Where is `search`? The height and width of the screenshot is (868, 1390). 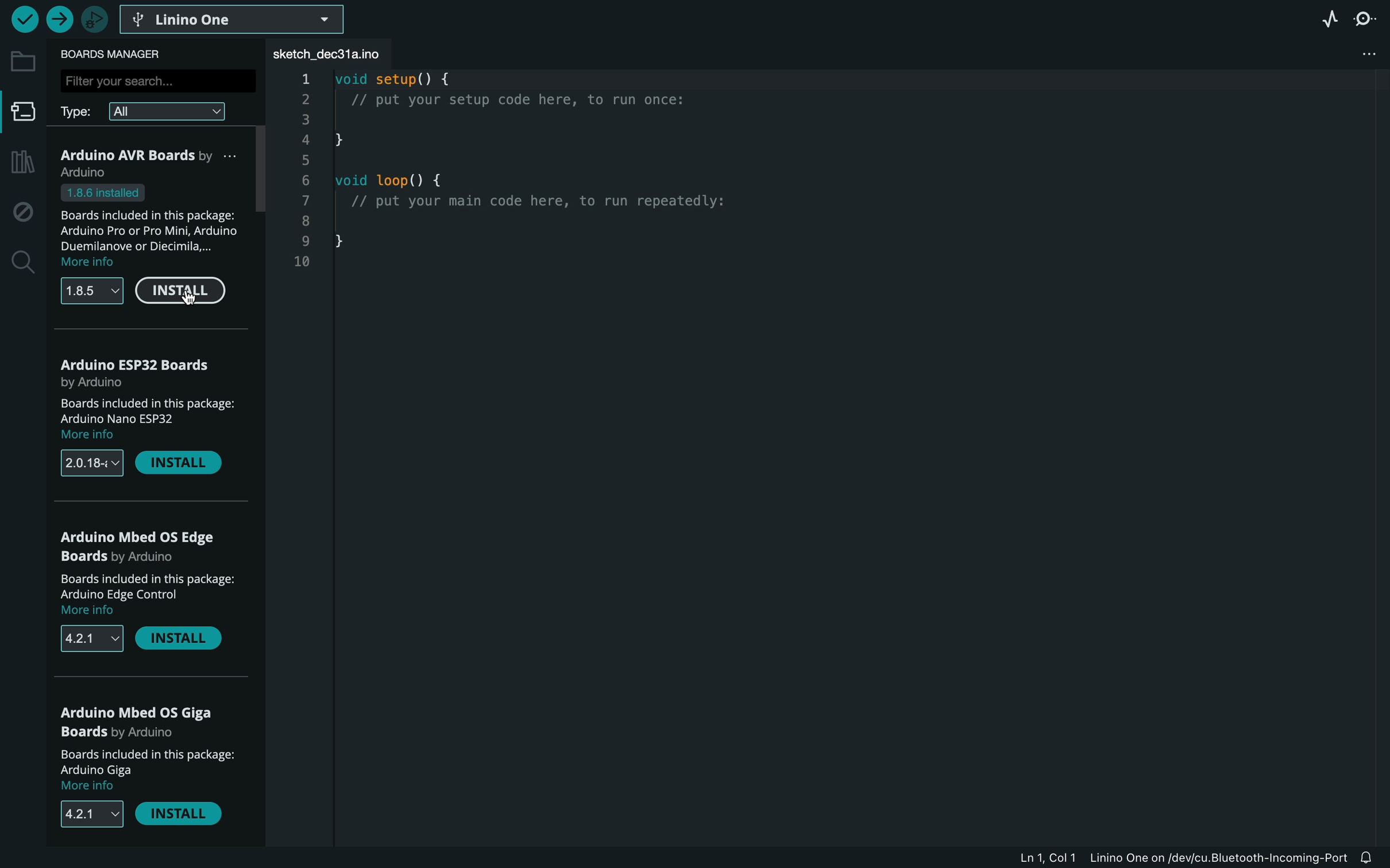 search is located at coordinates (21, 263).